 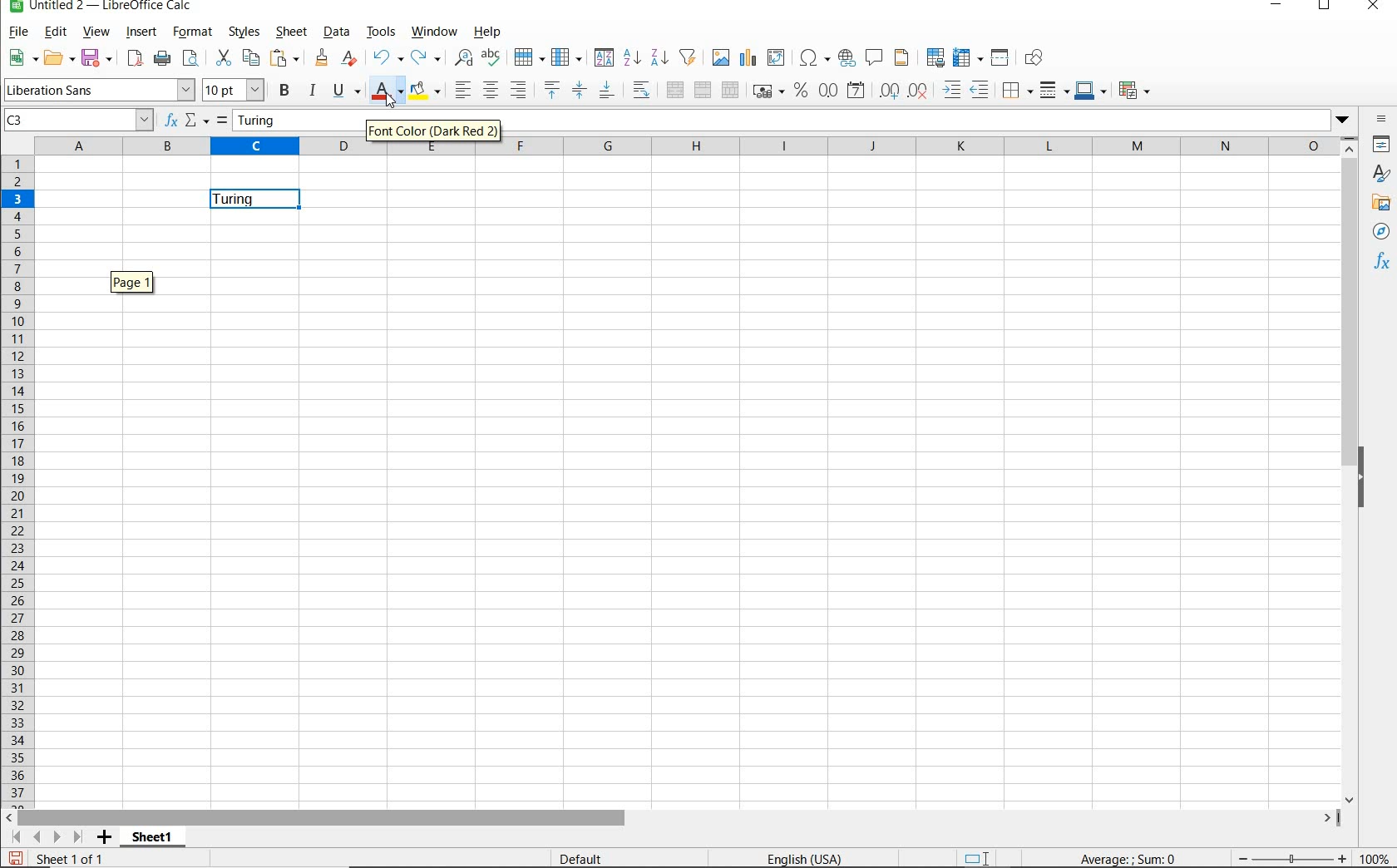 I want to click on COPY, so click(x=254, y=59).